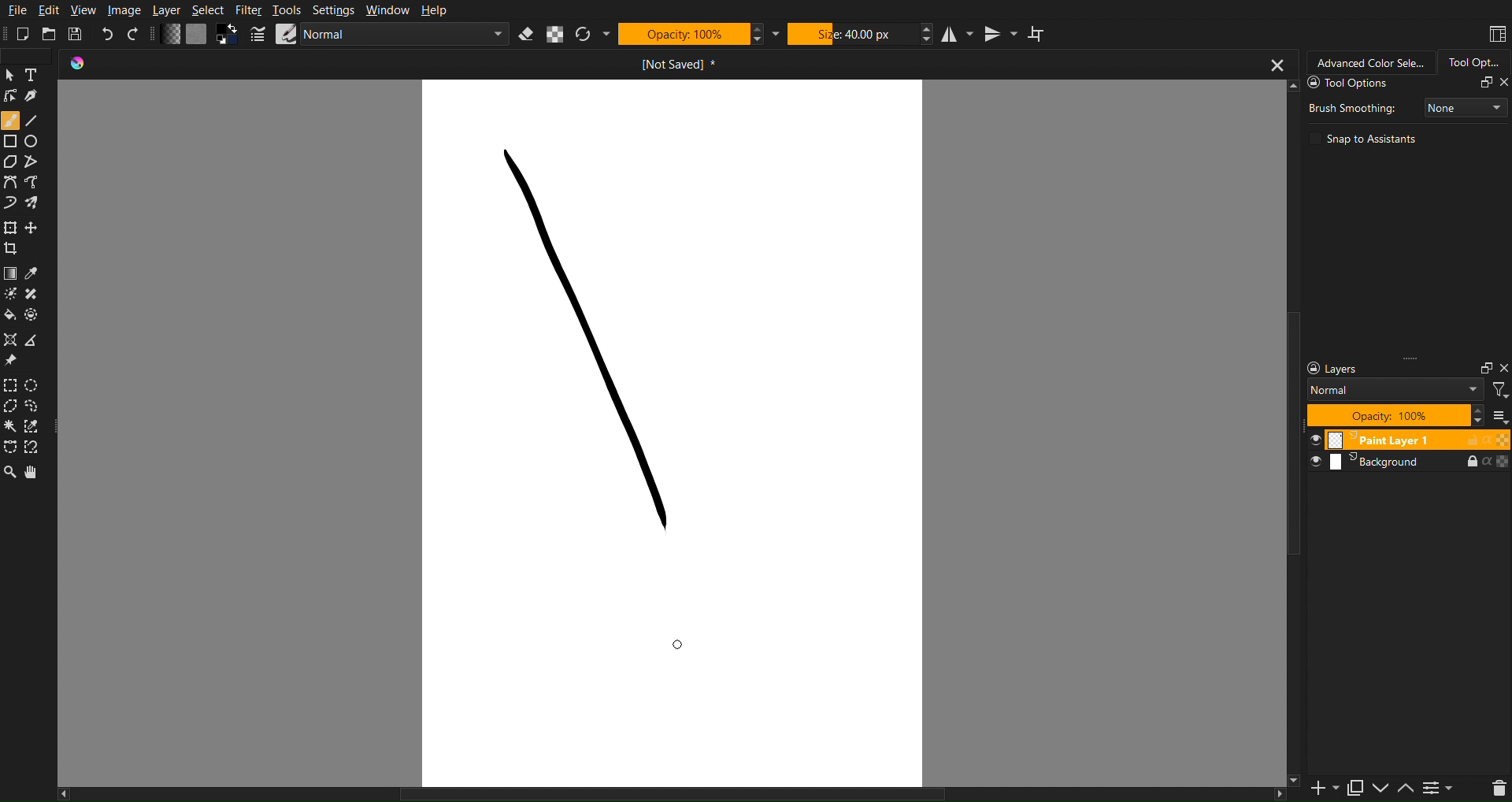 This screenshot has height=802, width=1512. Describe the element at coordinates (1323, 789) in the screenshot. I see `Add Slide` at that location.